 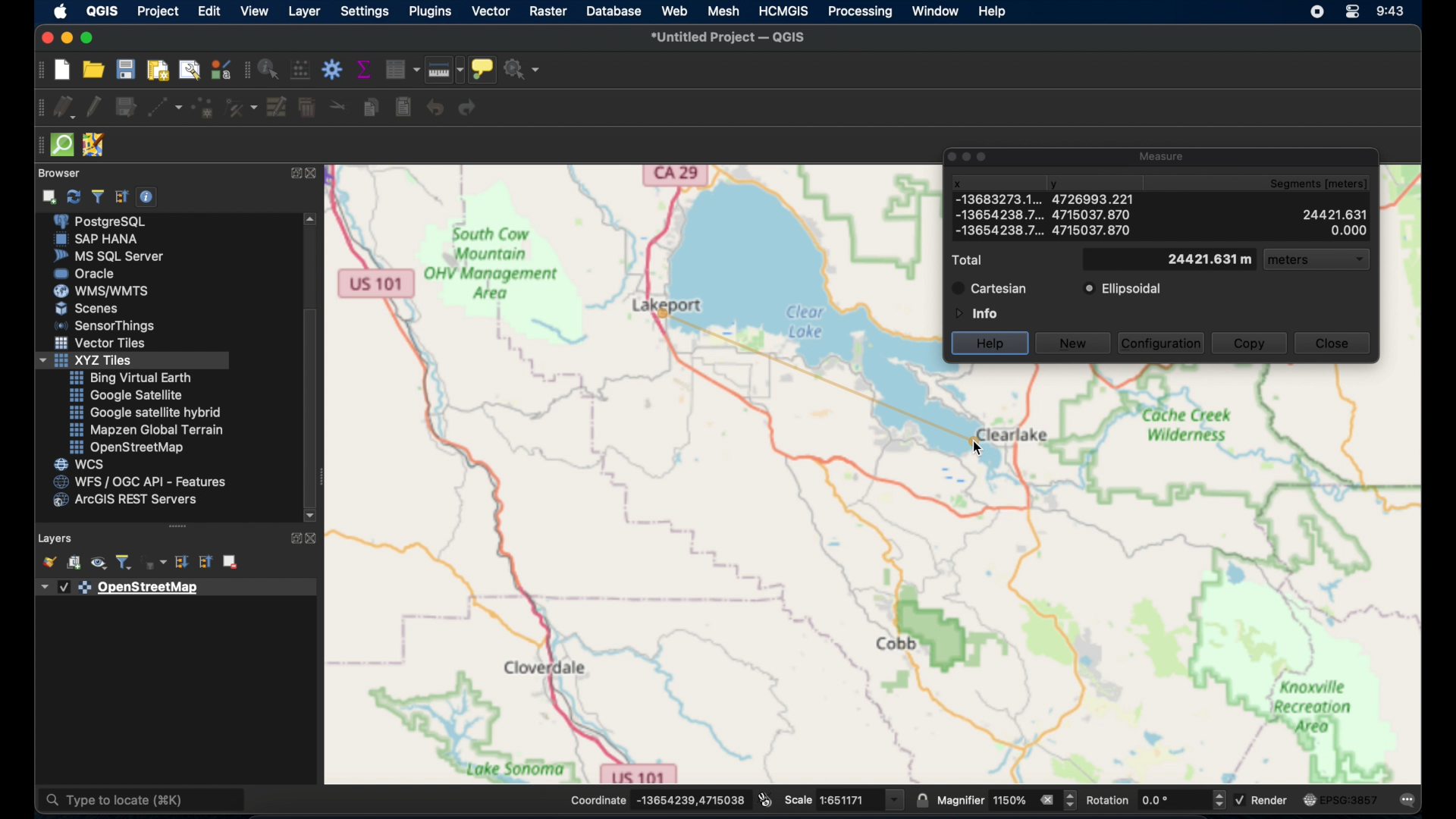 I want to click on processing, so click(x=858, y=13).